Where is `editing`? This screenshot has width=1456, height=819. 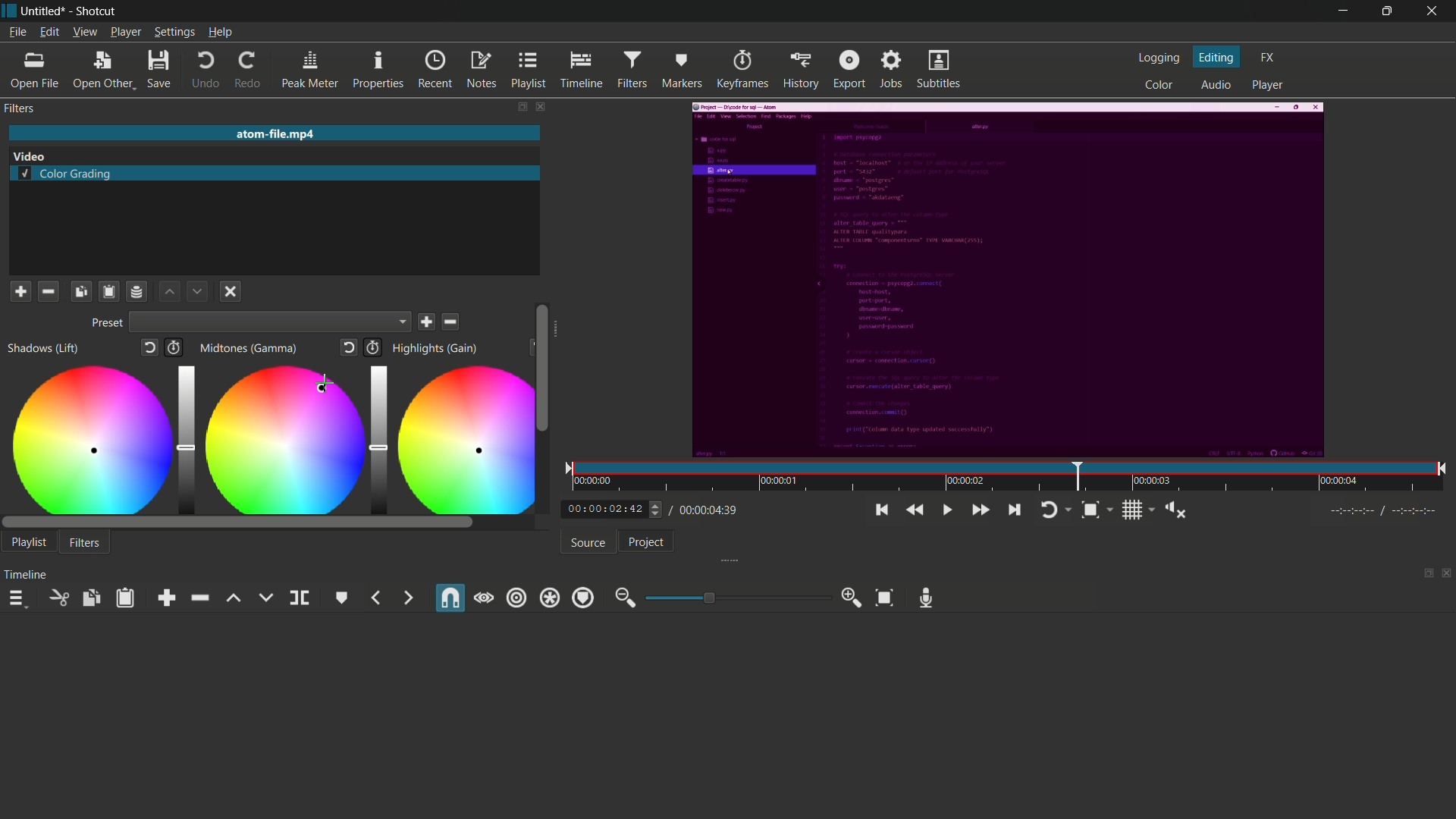 editing is located at coordinates (1218, 57).